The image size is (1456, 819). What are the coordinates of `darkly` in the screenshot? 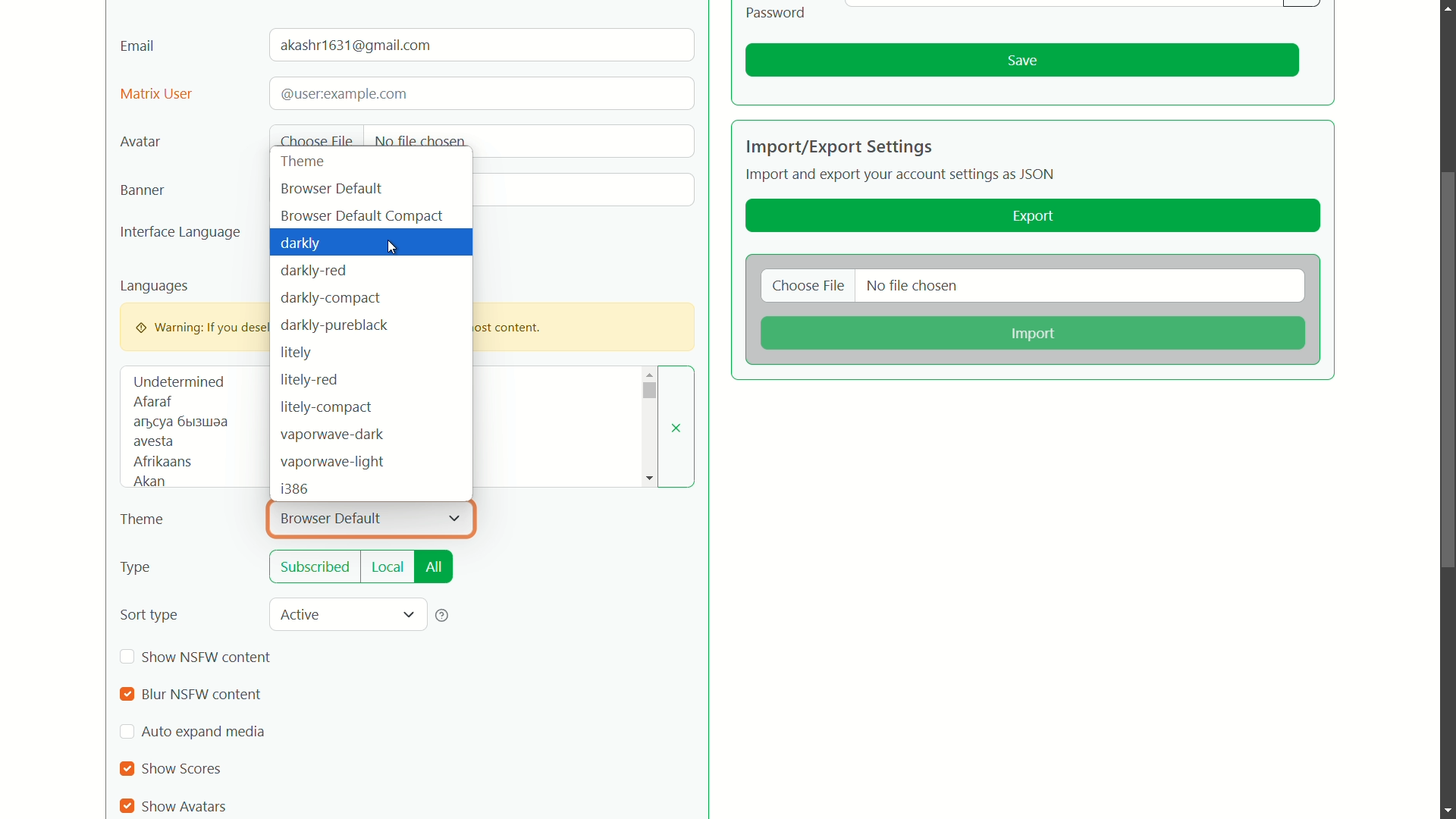 It's located at (303, 244).